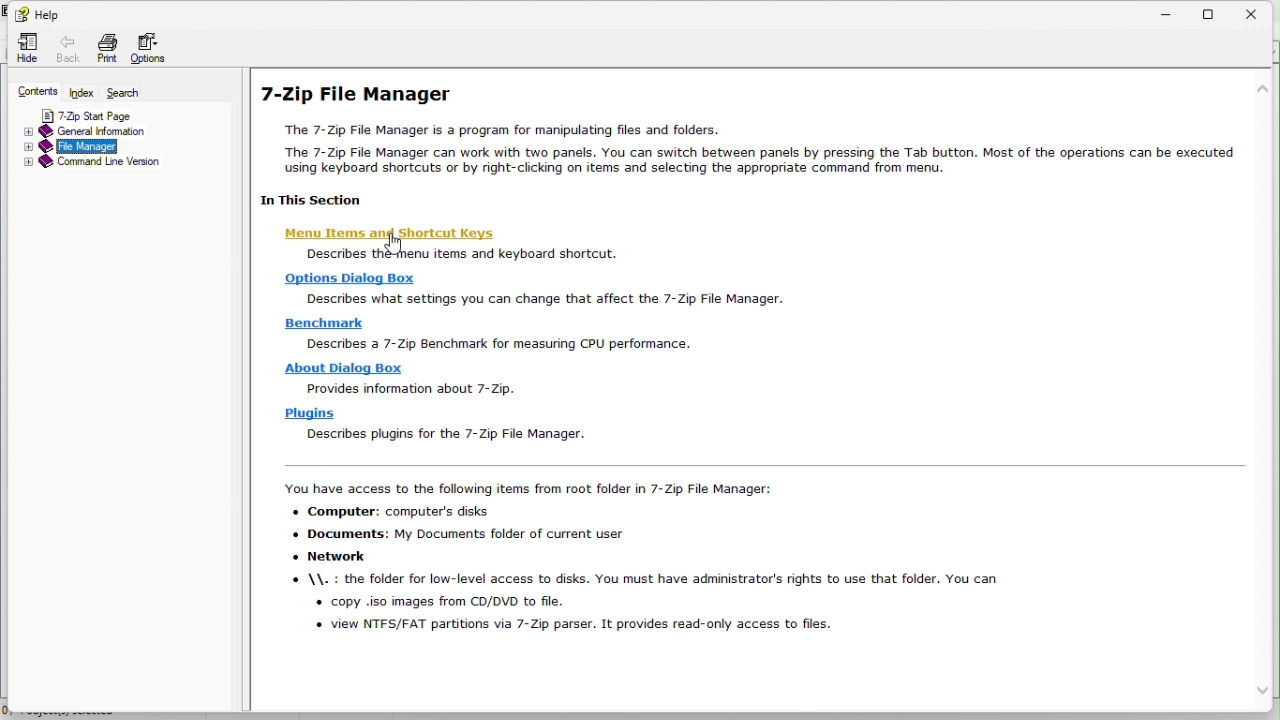  I want to click on Print, so click(106, 49).